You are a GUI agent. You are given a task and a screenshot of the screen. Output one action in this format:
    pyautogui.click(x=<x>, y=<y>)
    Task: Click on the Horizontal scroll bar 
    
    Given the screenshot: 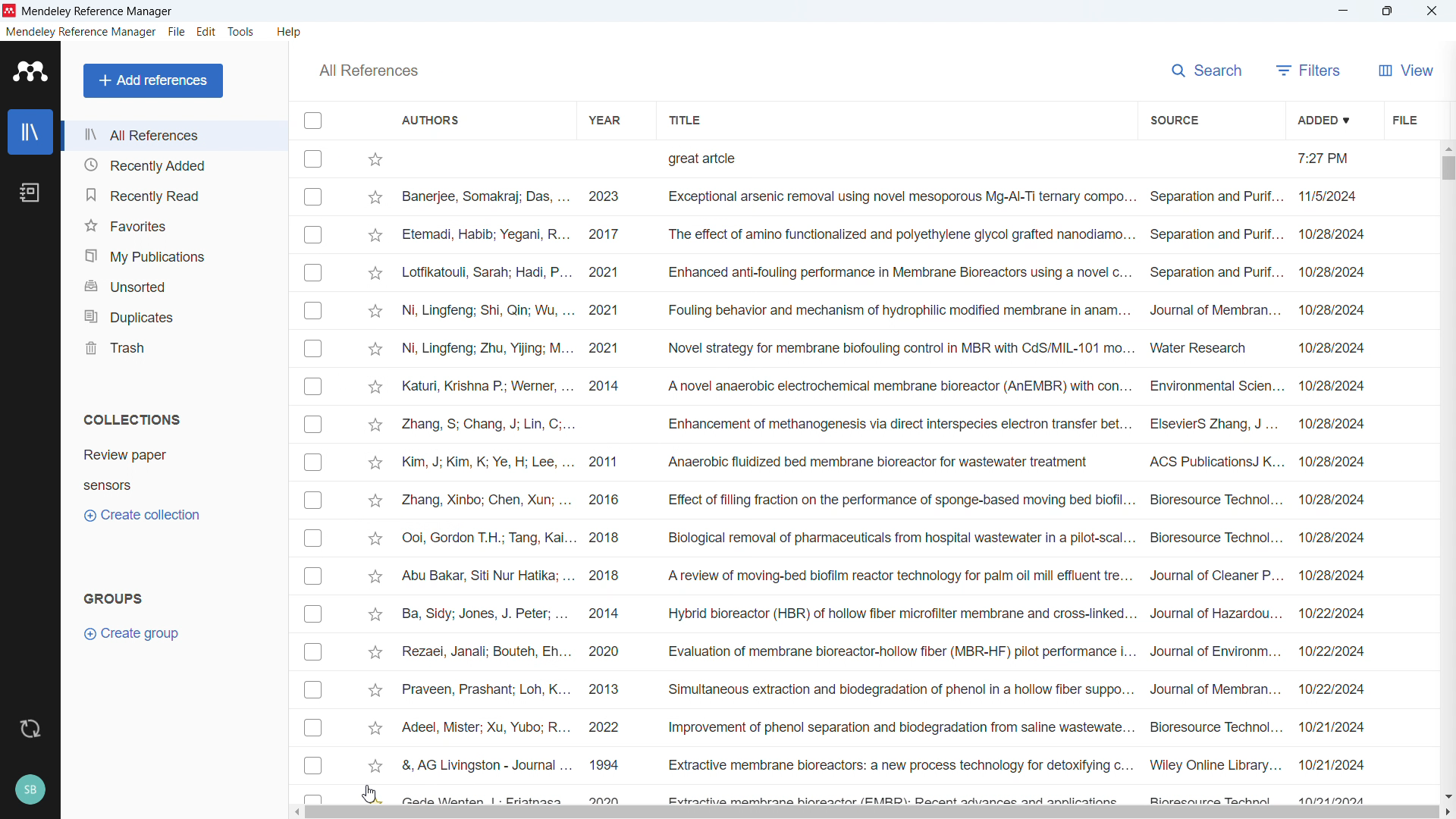 What is the action you would take?
    pyautogui.click(x=873, y=813)
    